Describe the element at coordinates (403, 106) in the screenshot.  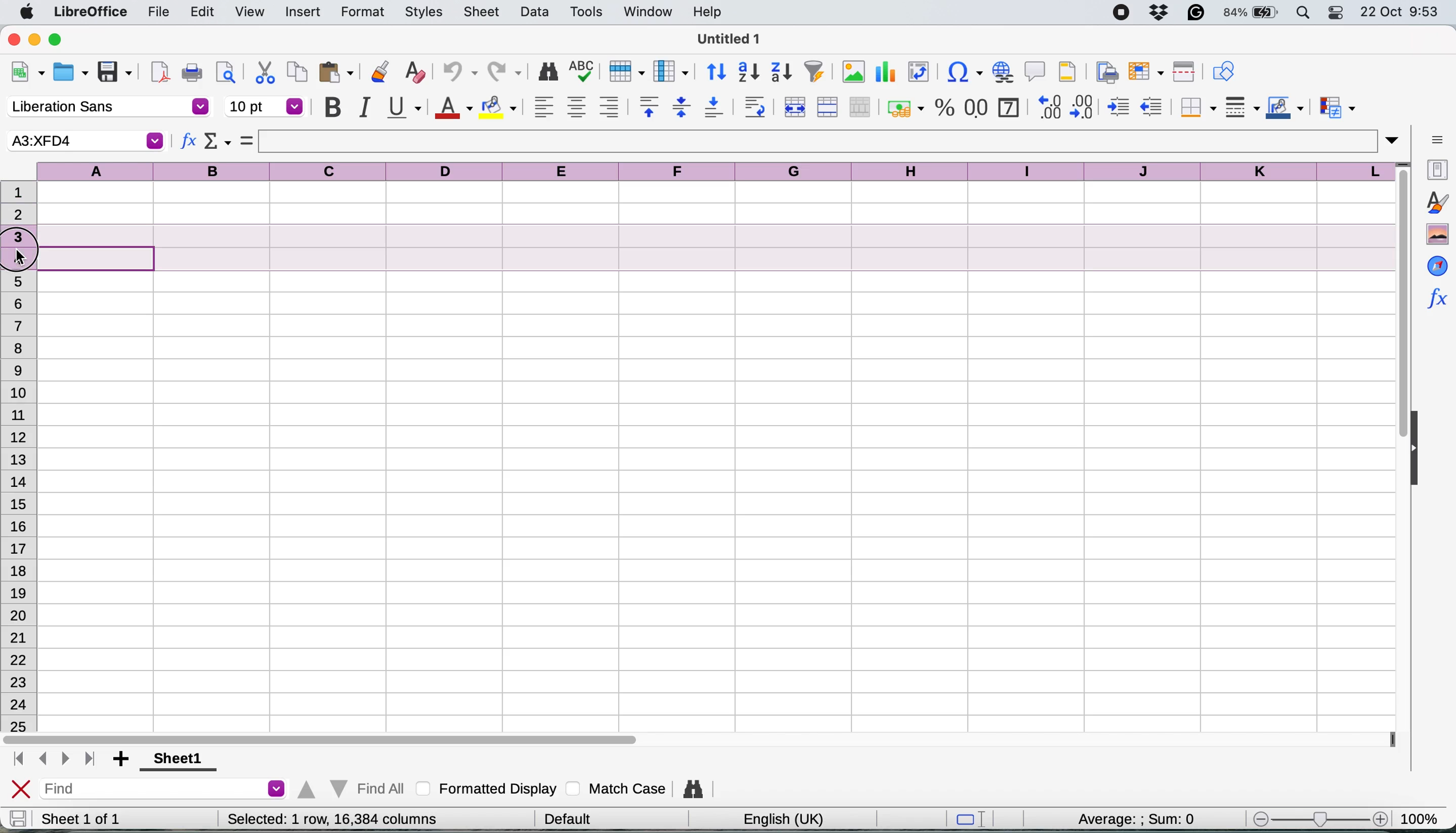
I see `underline` at that location.